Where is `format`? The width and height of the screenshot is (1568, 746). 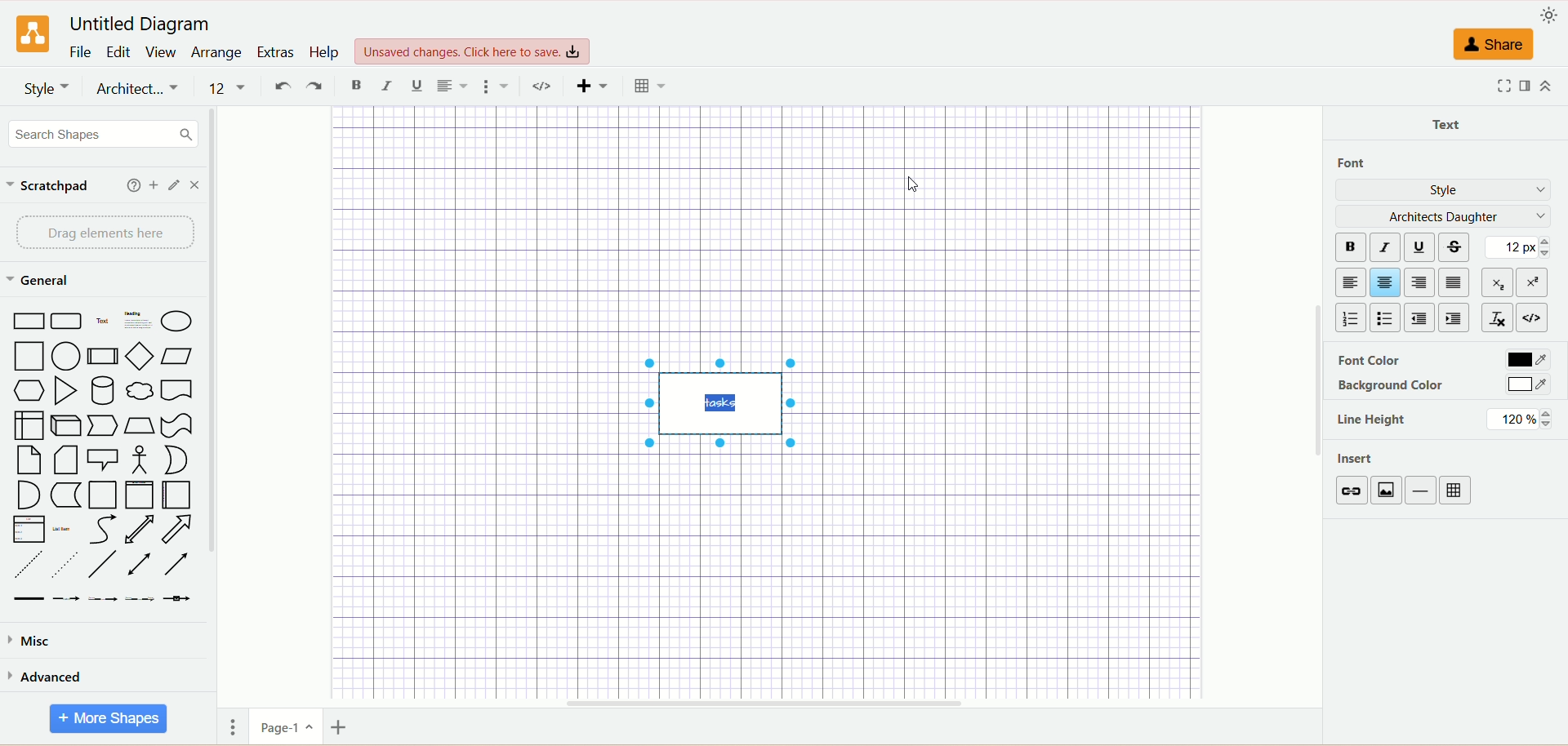 format is located at coordinates (1523, 86).